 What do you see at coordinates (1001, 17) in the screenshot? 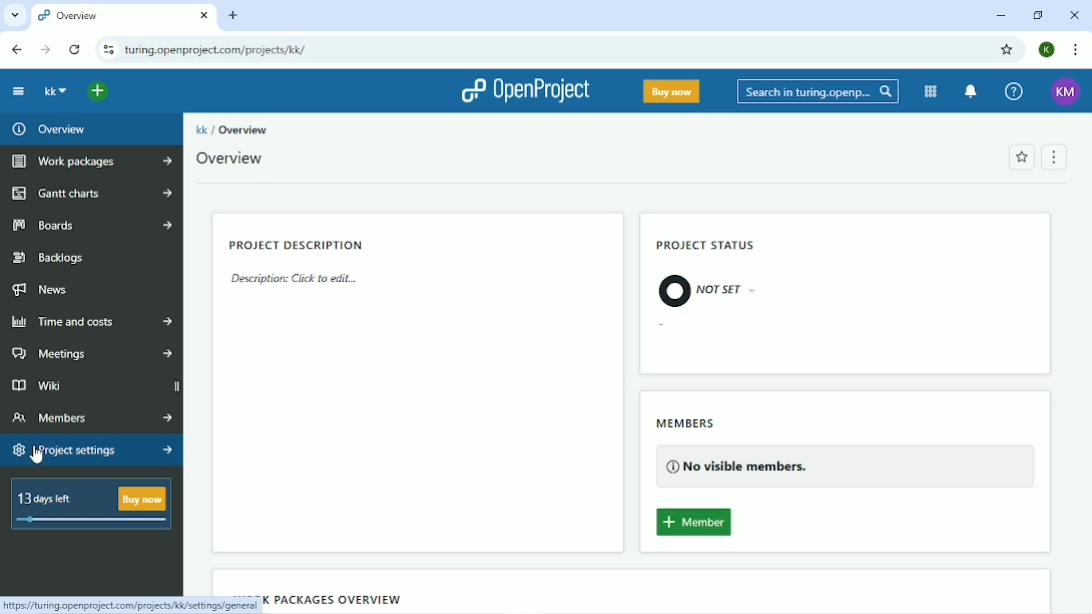
I see `Minimize` at bounding box center [1001, 17].